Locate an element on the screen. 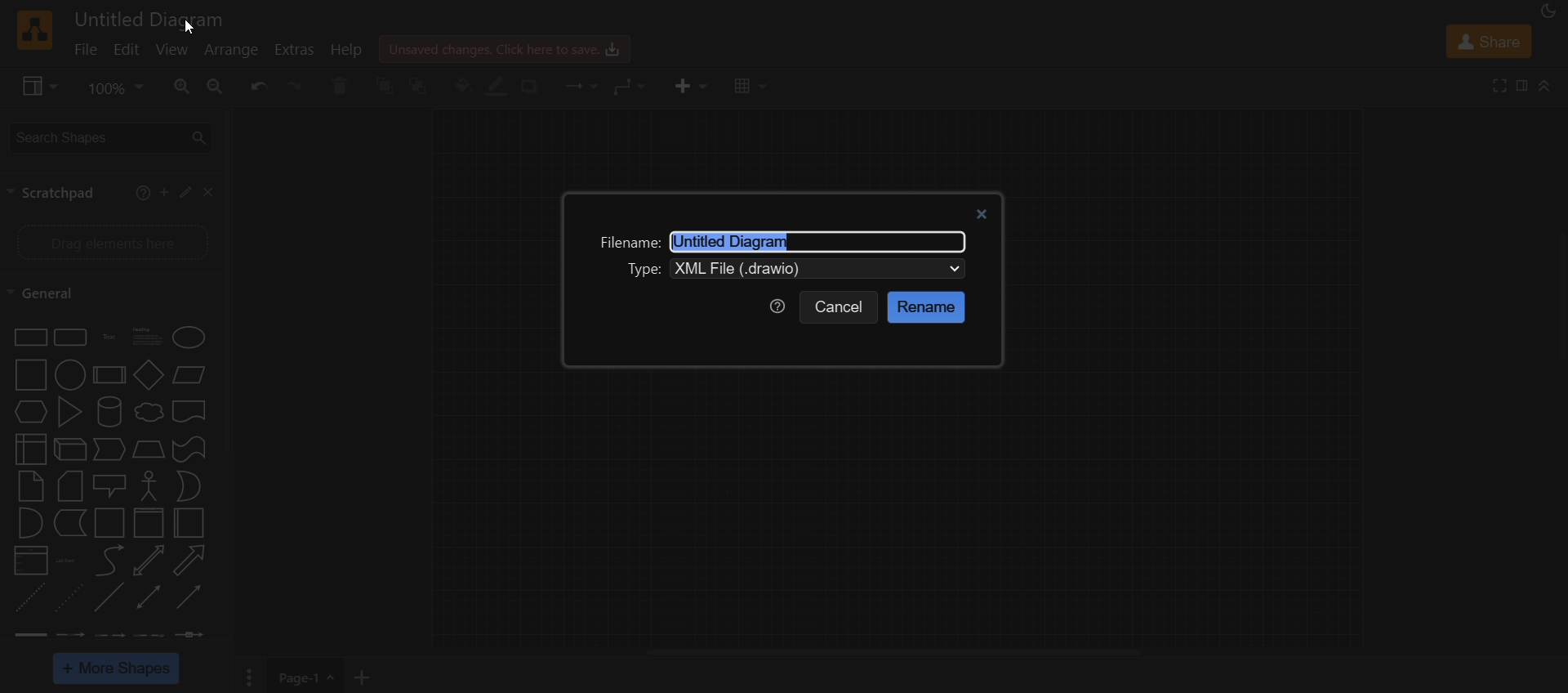 The width and height of the screenshot is (1568, 693). search shapes is located at coordinates (109, 136).